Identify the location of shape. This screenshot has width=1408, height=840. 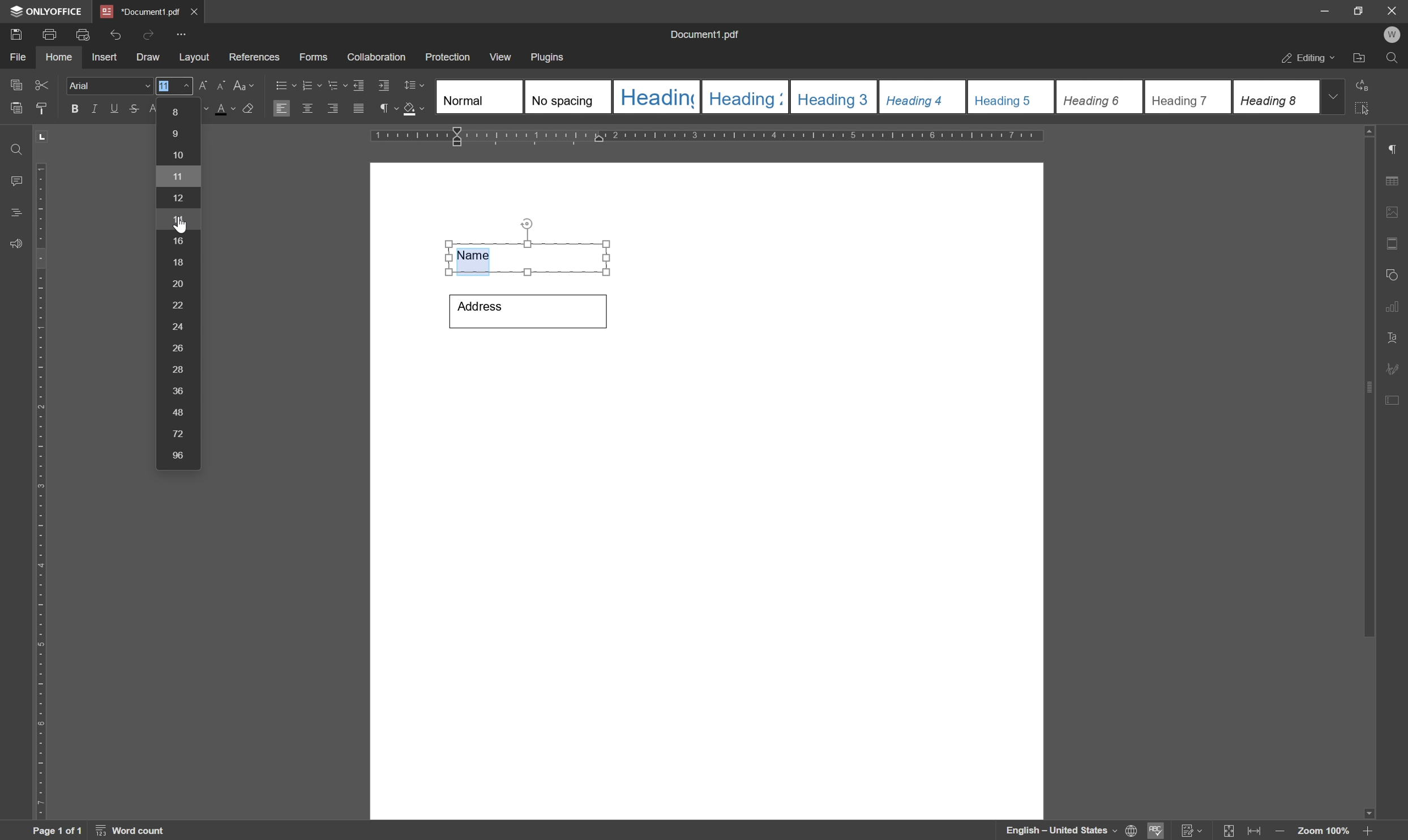
(1395, 272).